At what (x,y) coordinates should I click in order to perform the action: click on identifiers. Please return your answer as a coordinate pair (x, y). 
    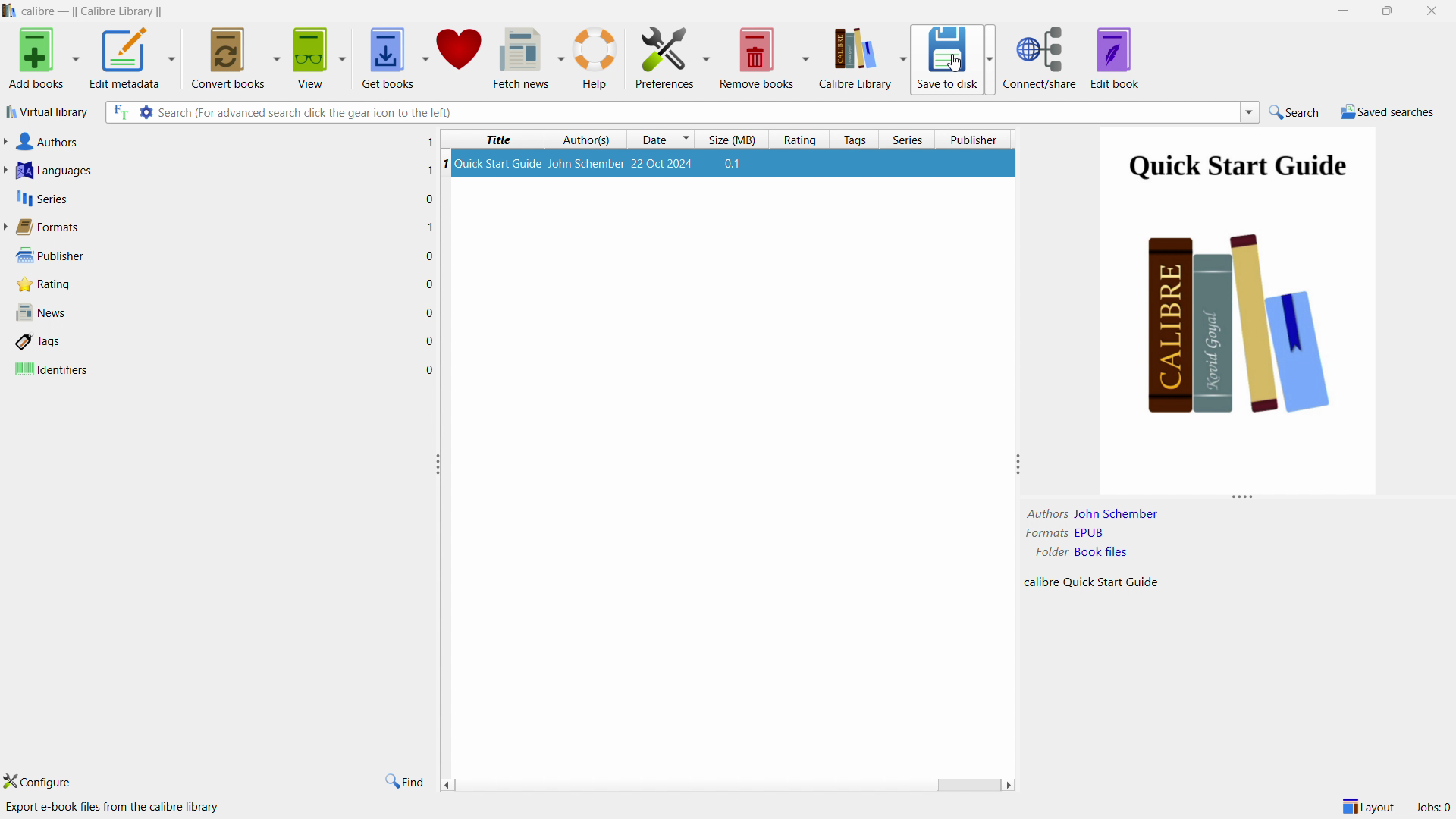
    Looking at the image, I should click on (64, 370).